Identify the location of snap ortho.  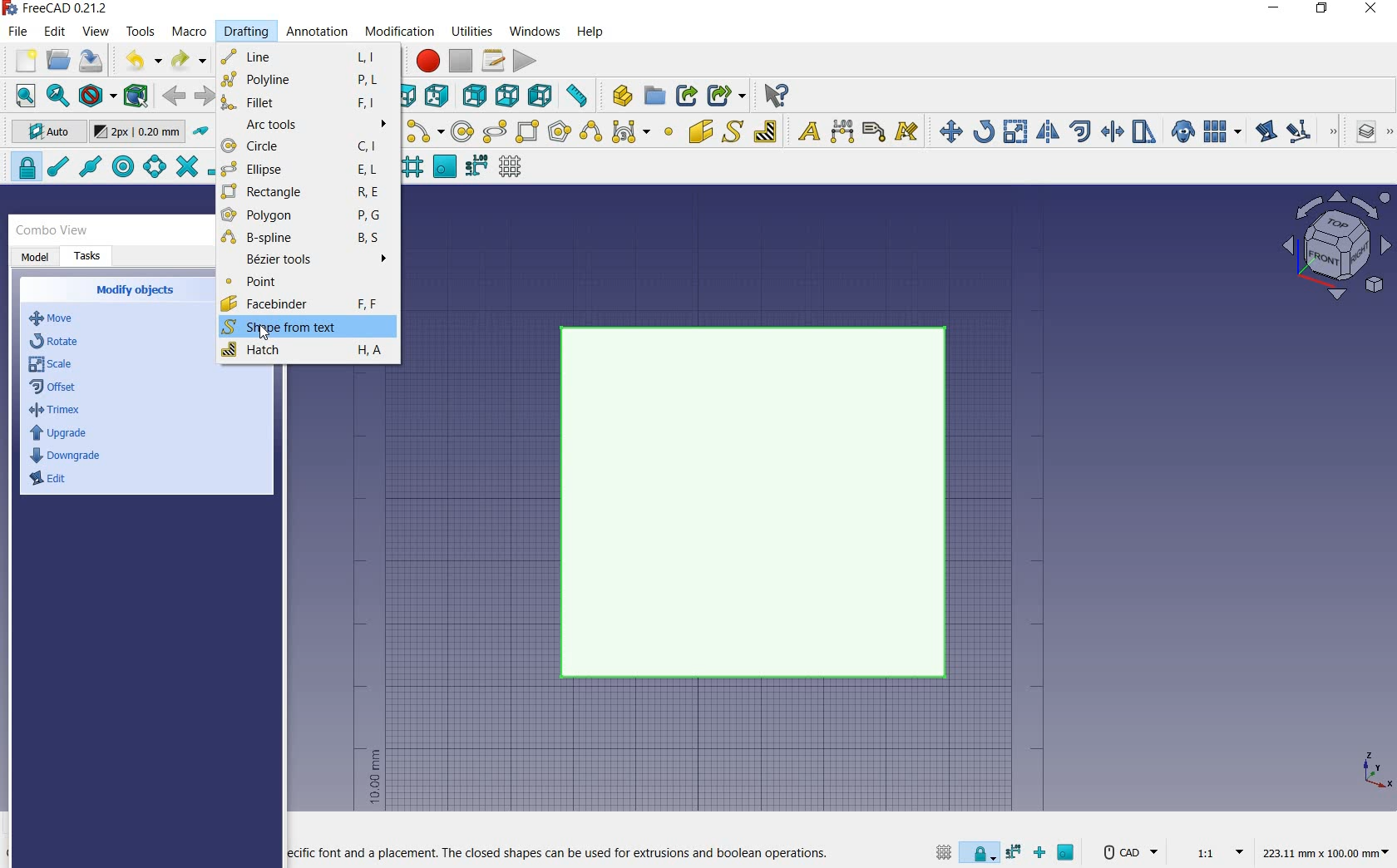
(1043, 854).